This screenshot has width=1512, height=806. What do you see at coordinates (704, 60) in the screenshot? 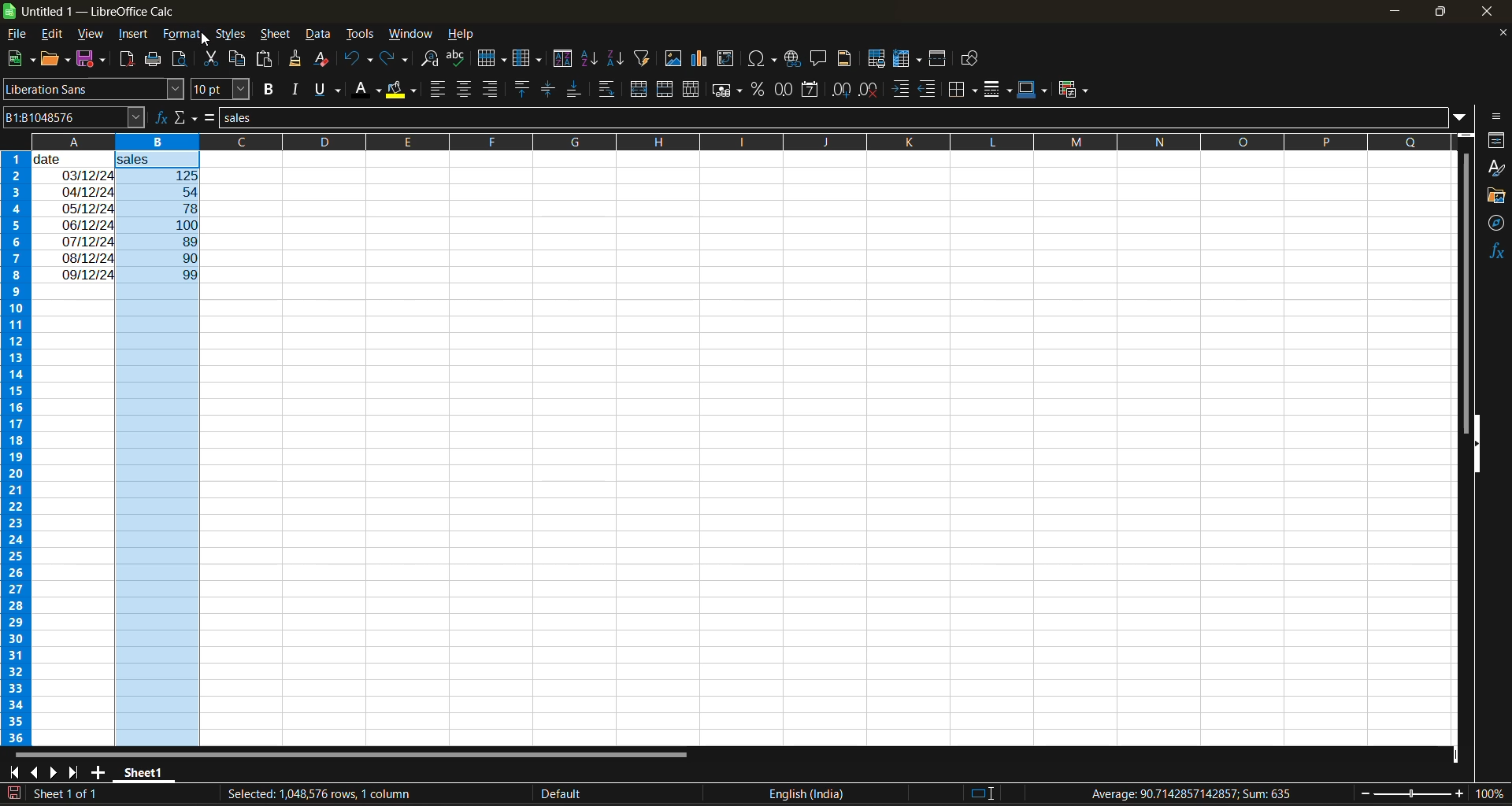
I see `insert chart` at bounding box center [704, 60].